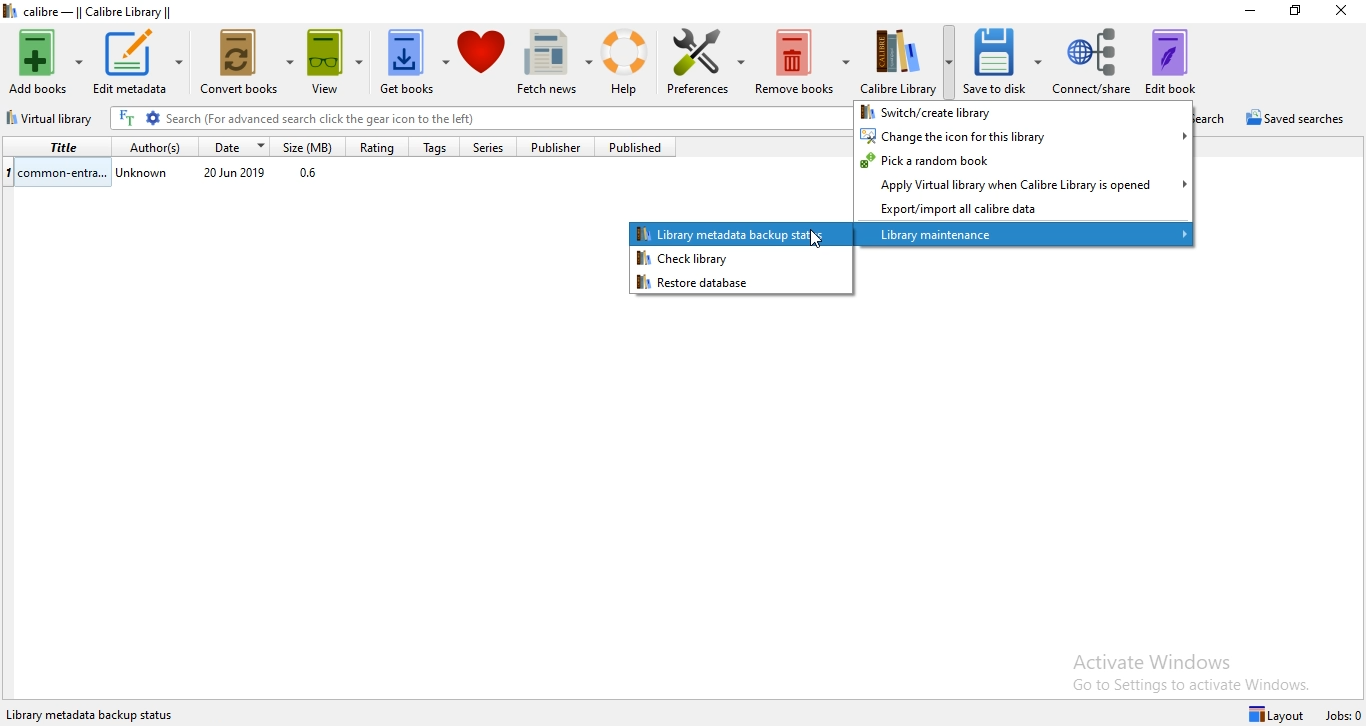 Image resolution: width=1366 pixels, height=726 pixels. Describe the element at coordinates (557, 64) in the screenshot. I see `Fetch news` at that location.